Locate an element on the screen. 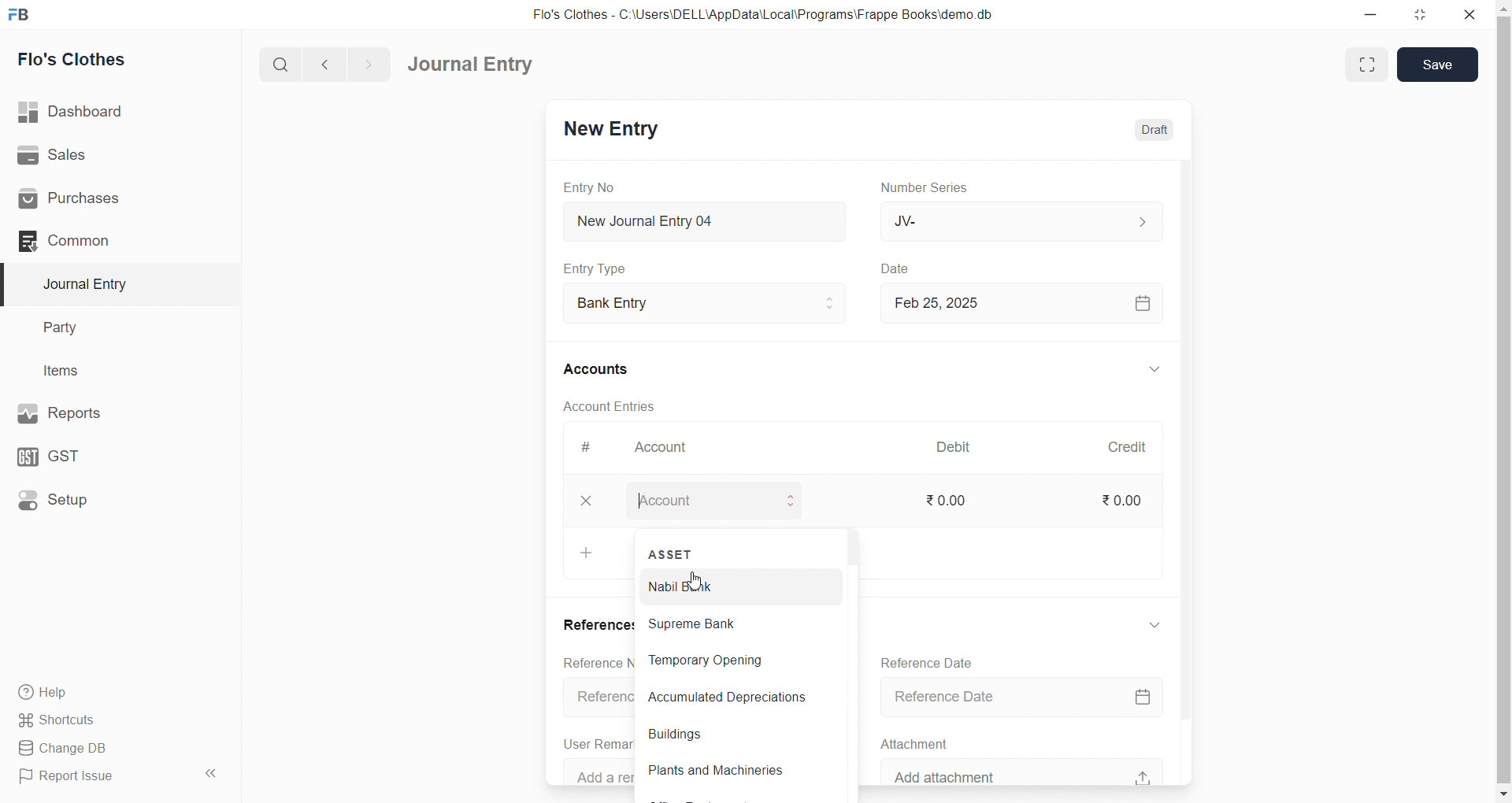  Dashboard is located at coordinates (116, 112).